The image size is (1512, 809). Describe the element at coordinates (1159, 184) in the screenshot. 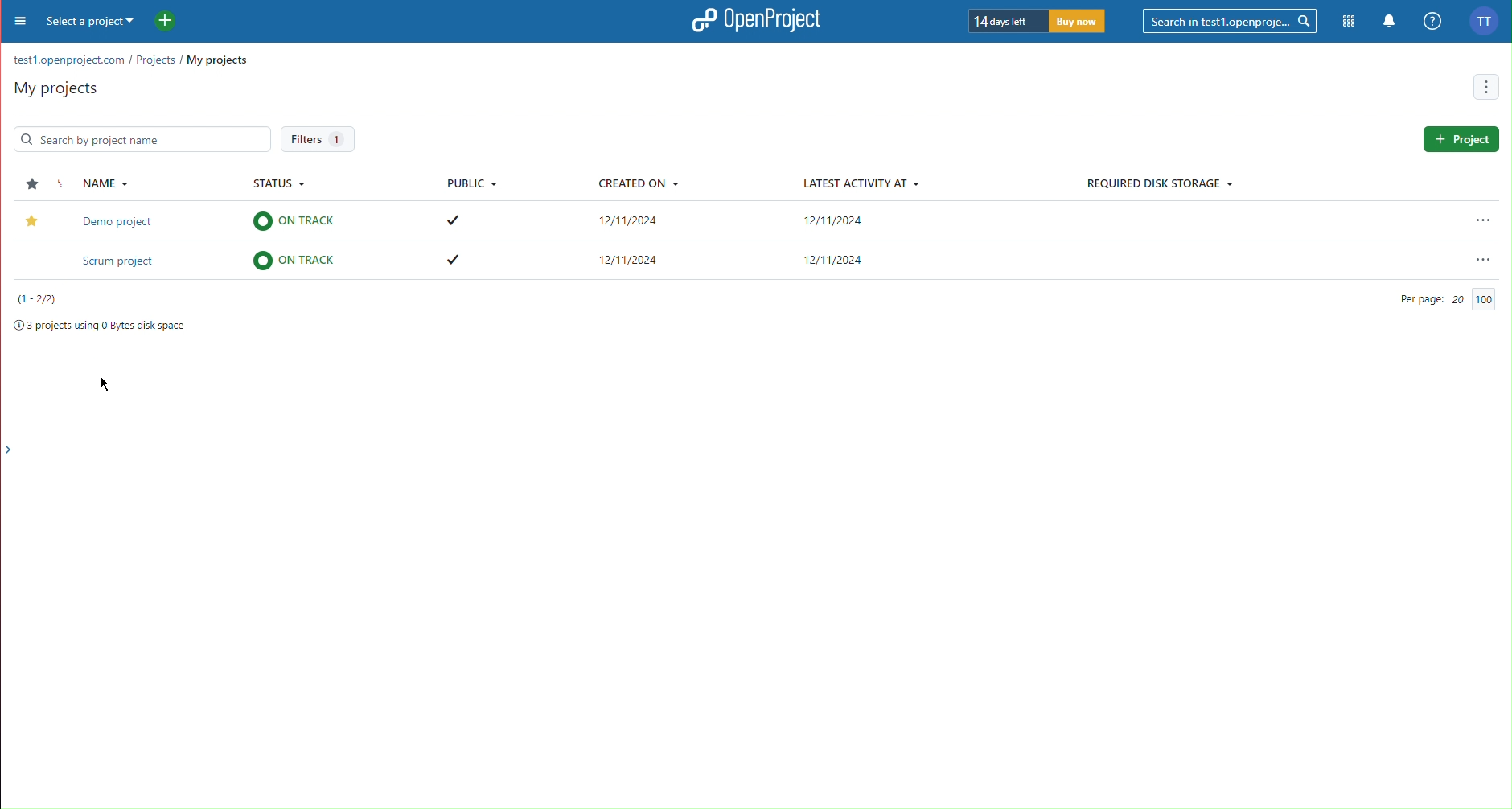

I see `Reduced Disk Storage` at that location.